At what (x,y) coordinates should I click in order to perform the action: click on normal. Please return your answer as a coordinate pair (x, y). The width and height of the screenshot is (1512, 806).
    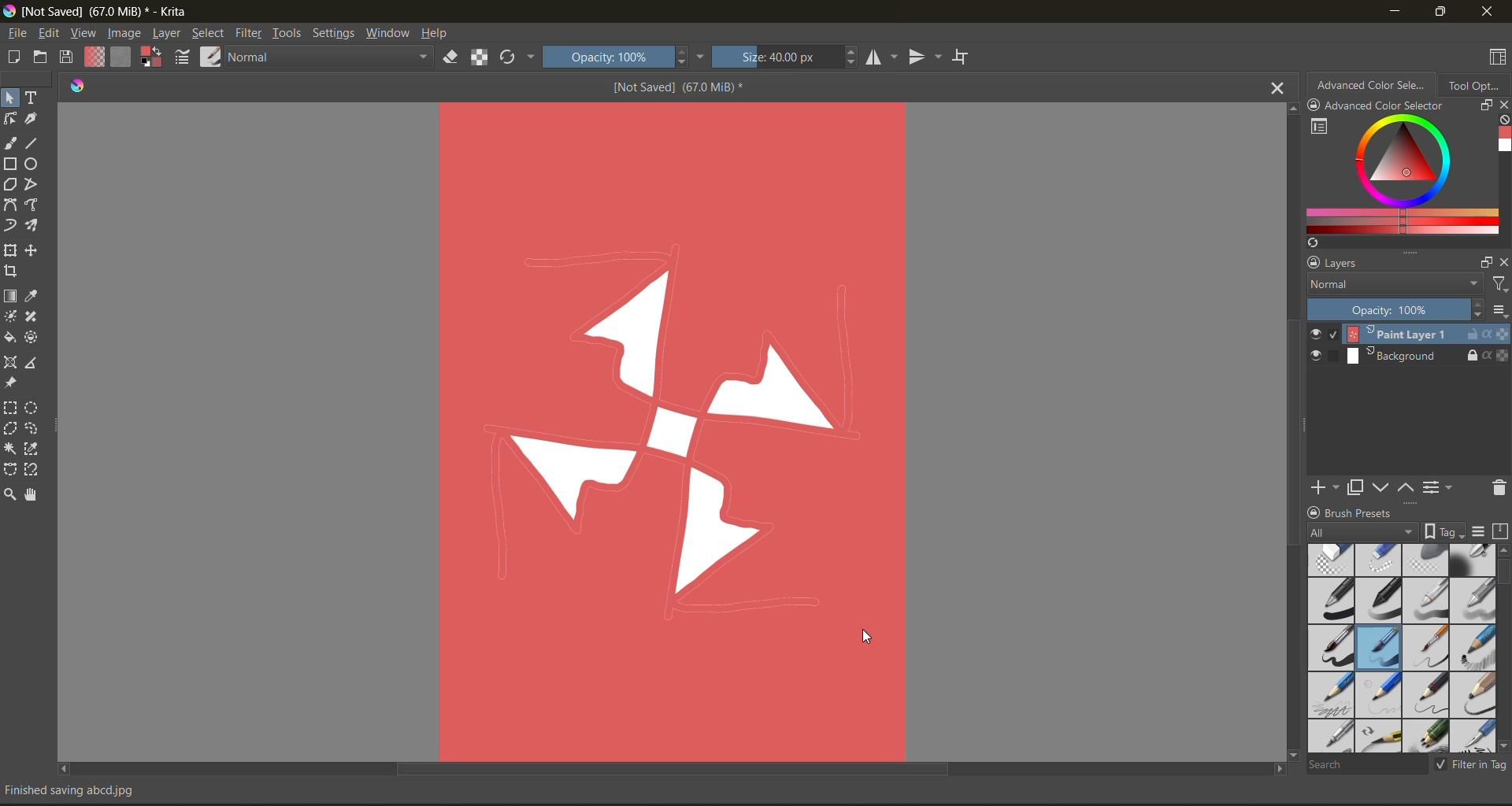
    Looking at the image, I should click on (330, 56).